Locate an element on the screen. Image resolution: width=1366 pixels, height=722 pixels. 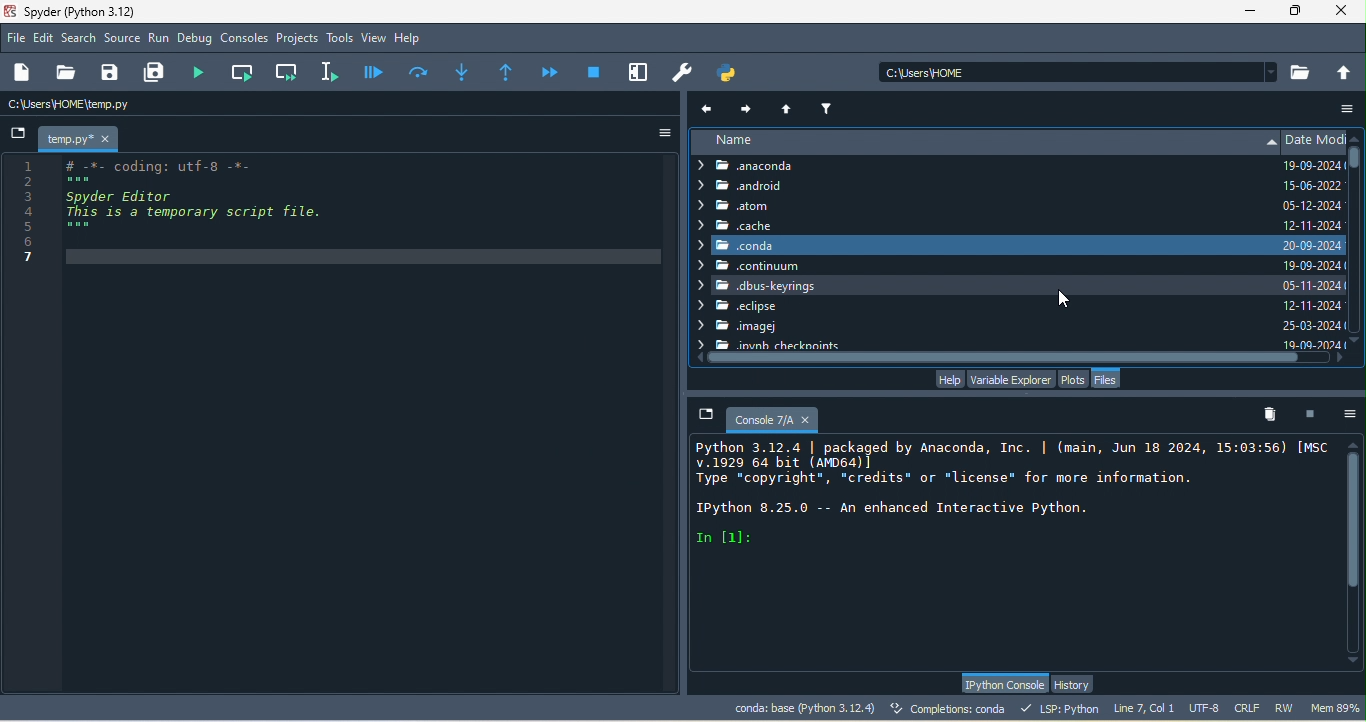
continue execution is located at coordinates (552, 72).